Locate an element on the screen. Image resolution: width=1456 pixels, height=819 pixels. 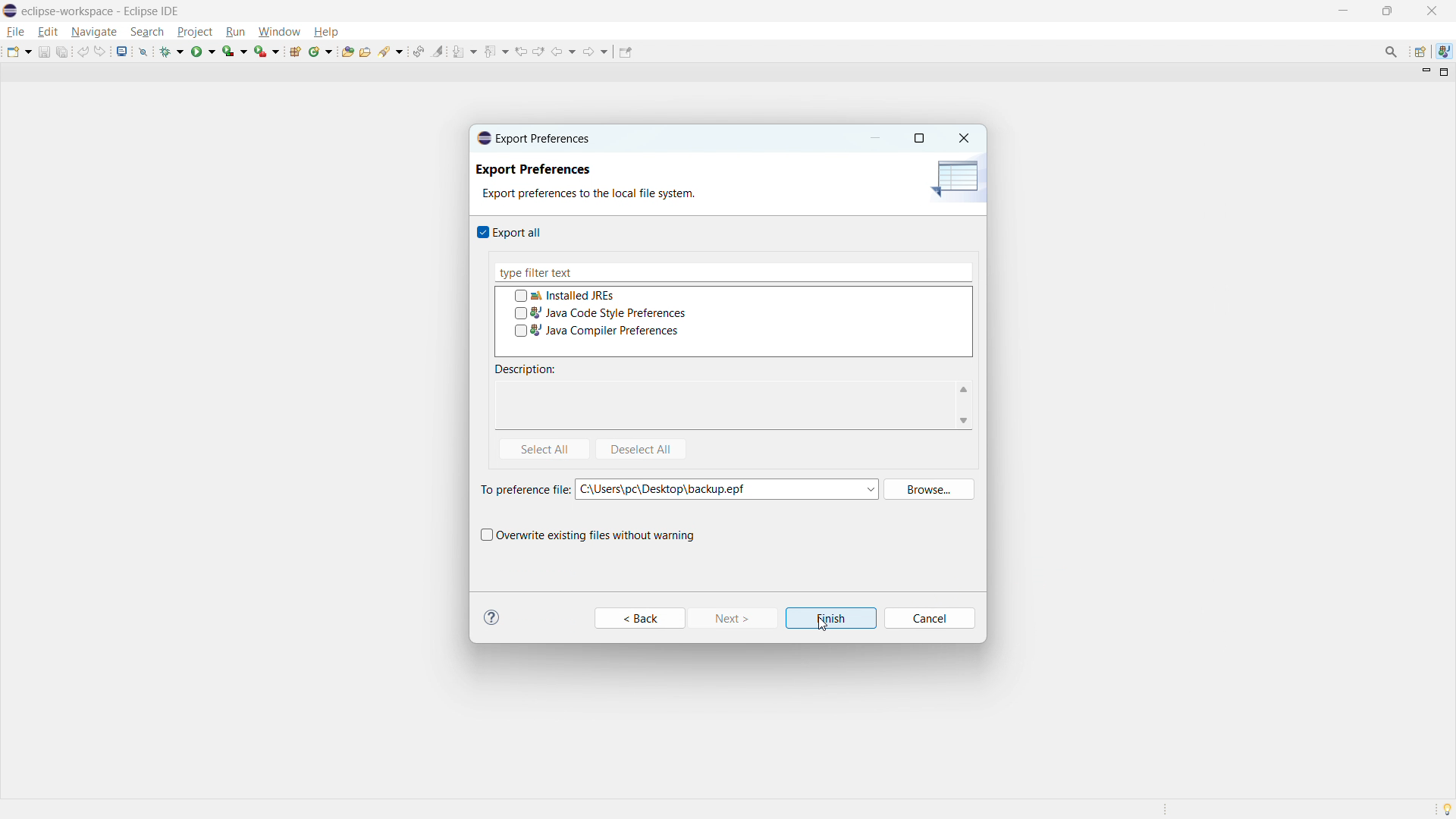
Back is located at coordinates (638, 619).